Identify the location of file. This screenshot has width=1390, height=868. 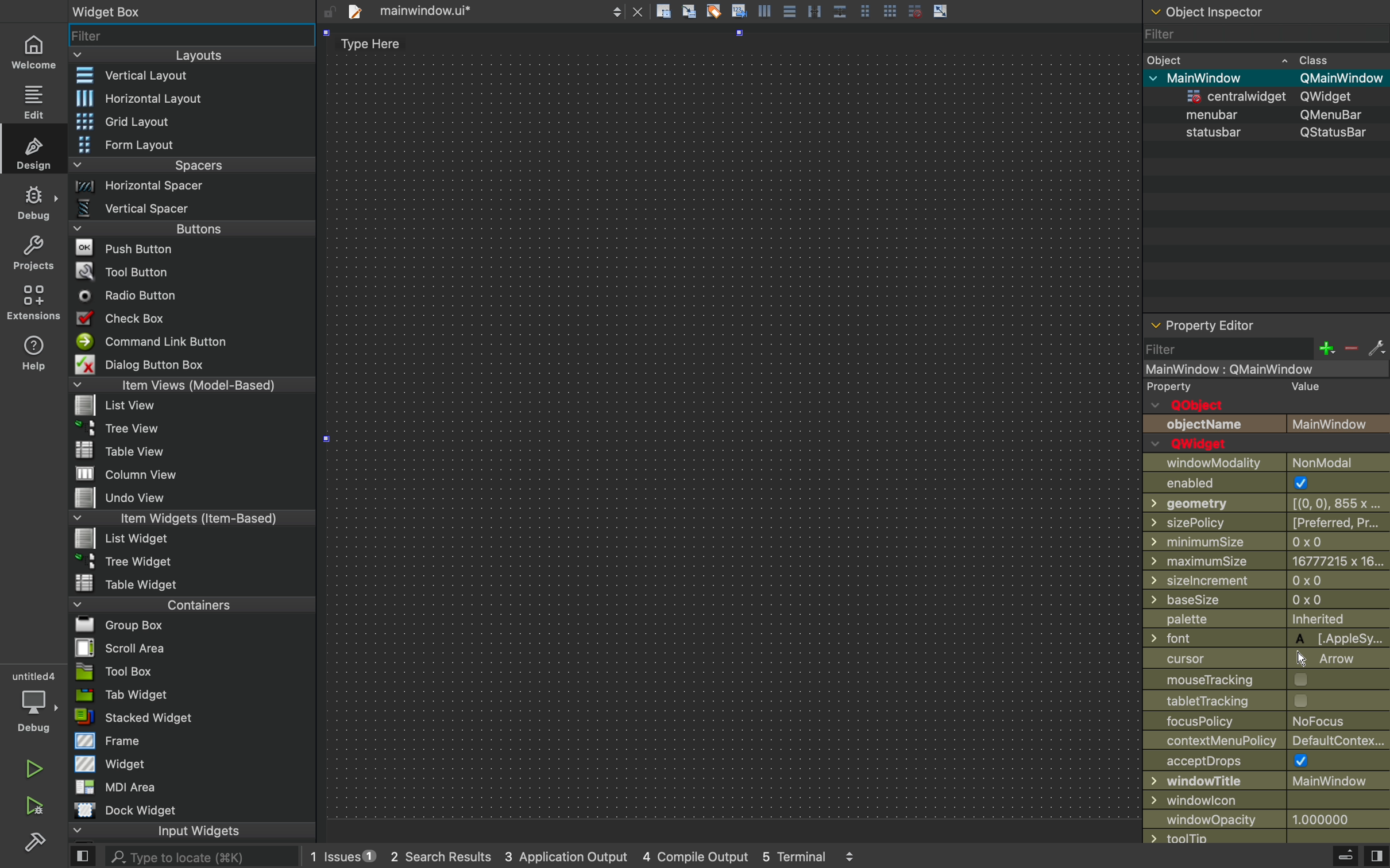
(493, 11).